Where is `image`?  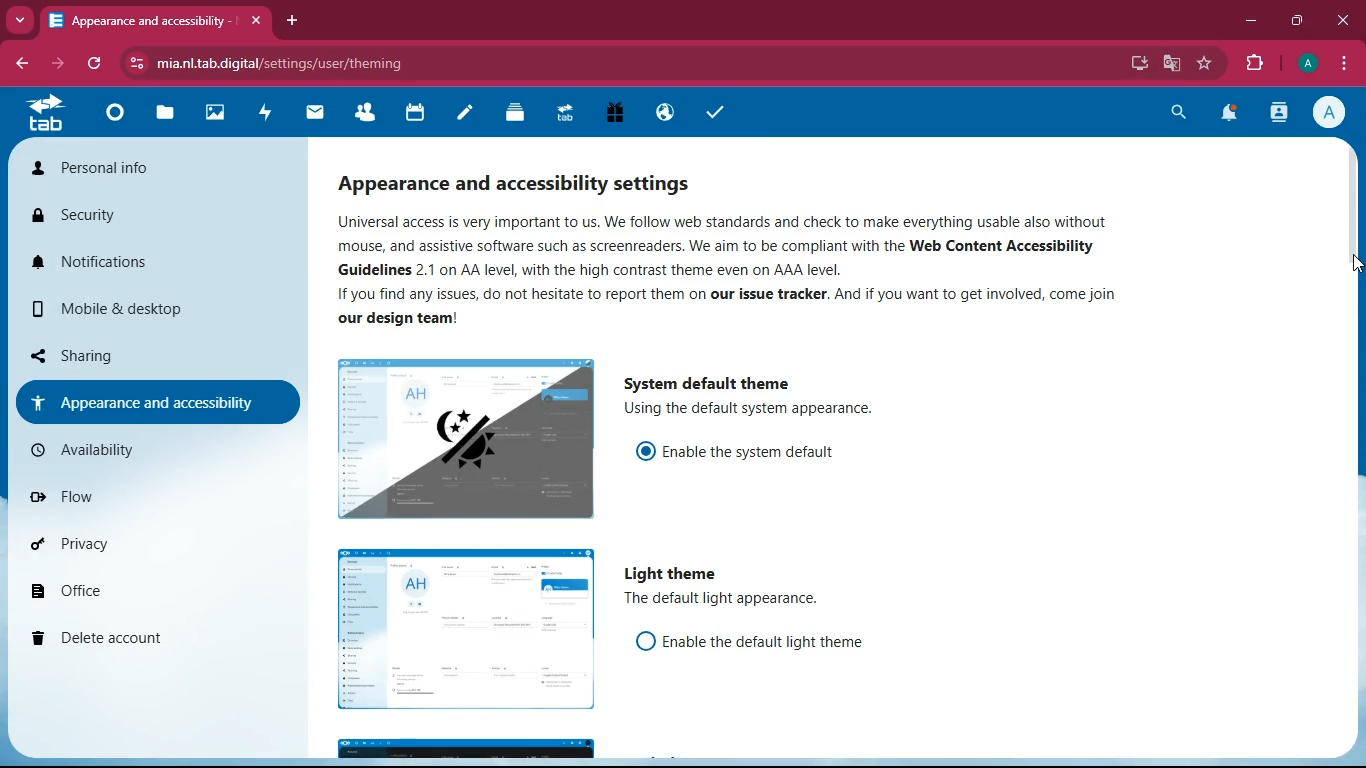 image is located at coordinates (462, 630).